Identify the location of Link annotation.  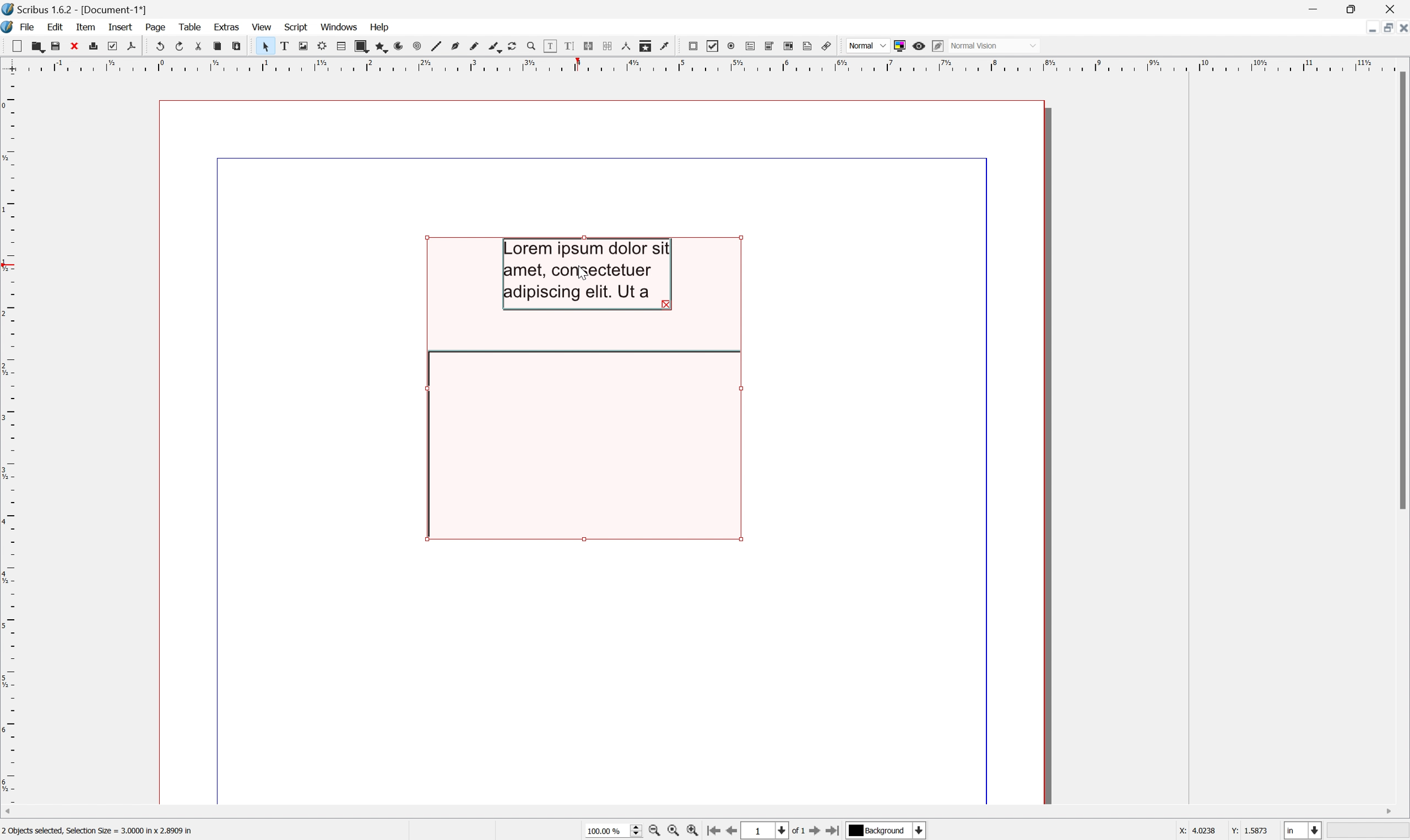
(830, 47).